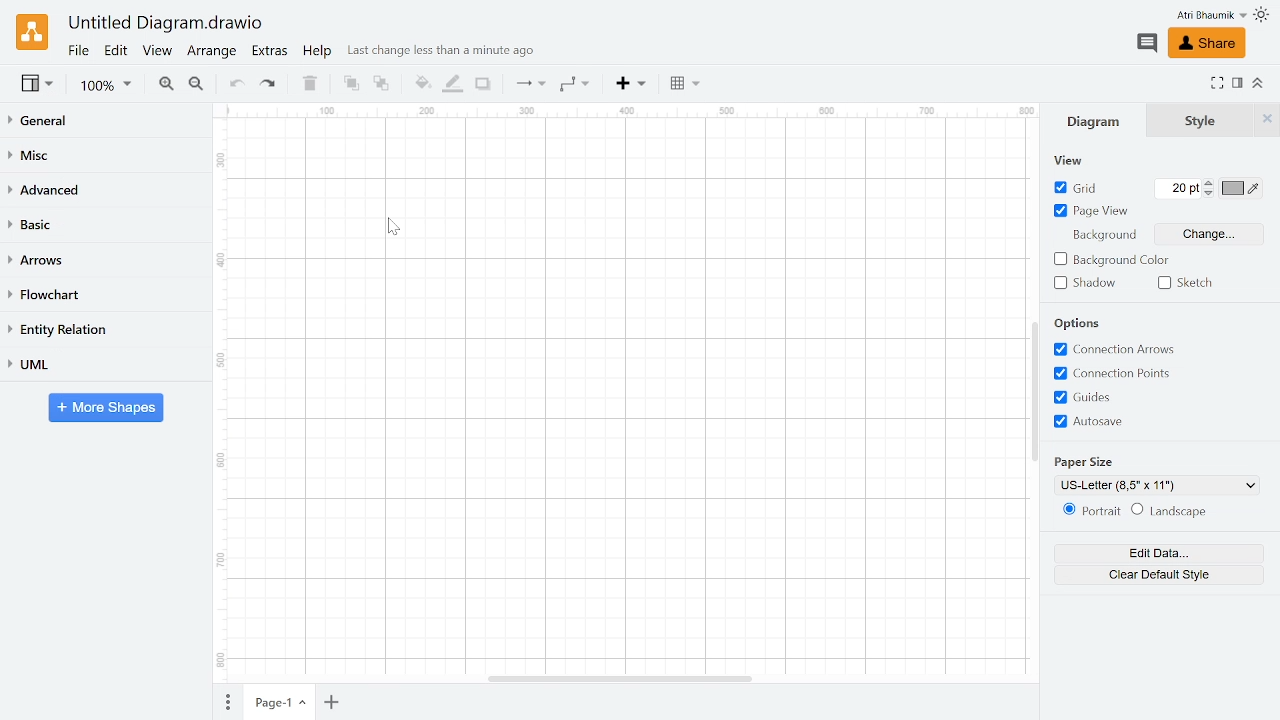 The width and height of the screenshot is (1280, 720). I want to click on View, so click(35, 82).